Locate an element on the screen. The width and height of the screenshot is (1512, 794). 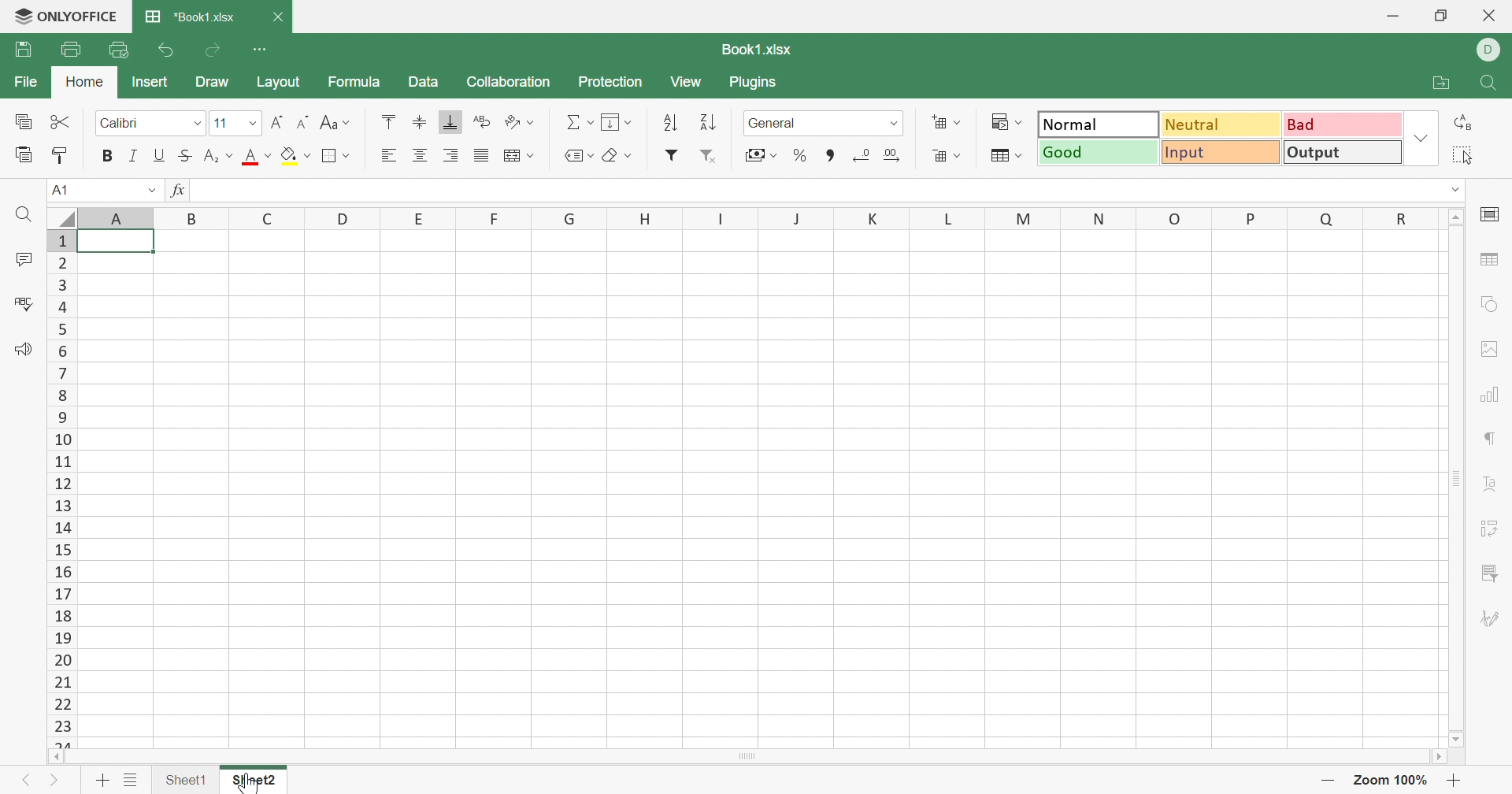
Open file location is located at coordinates (1432, 83).